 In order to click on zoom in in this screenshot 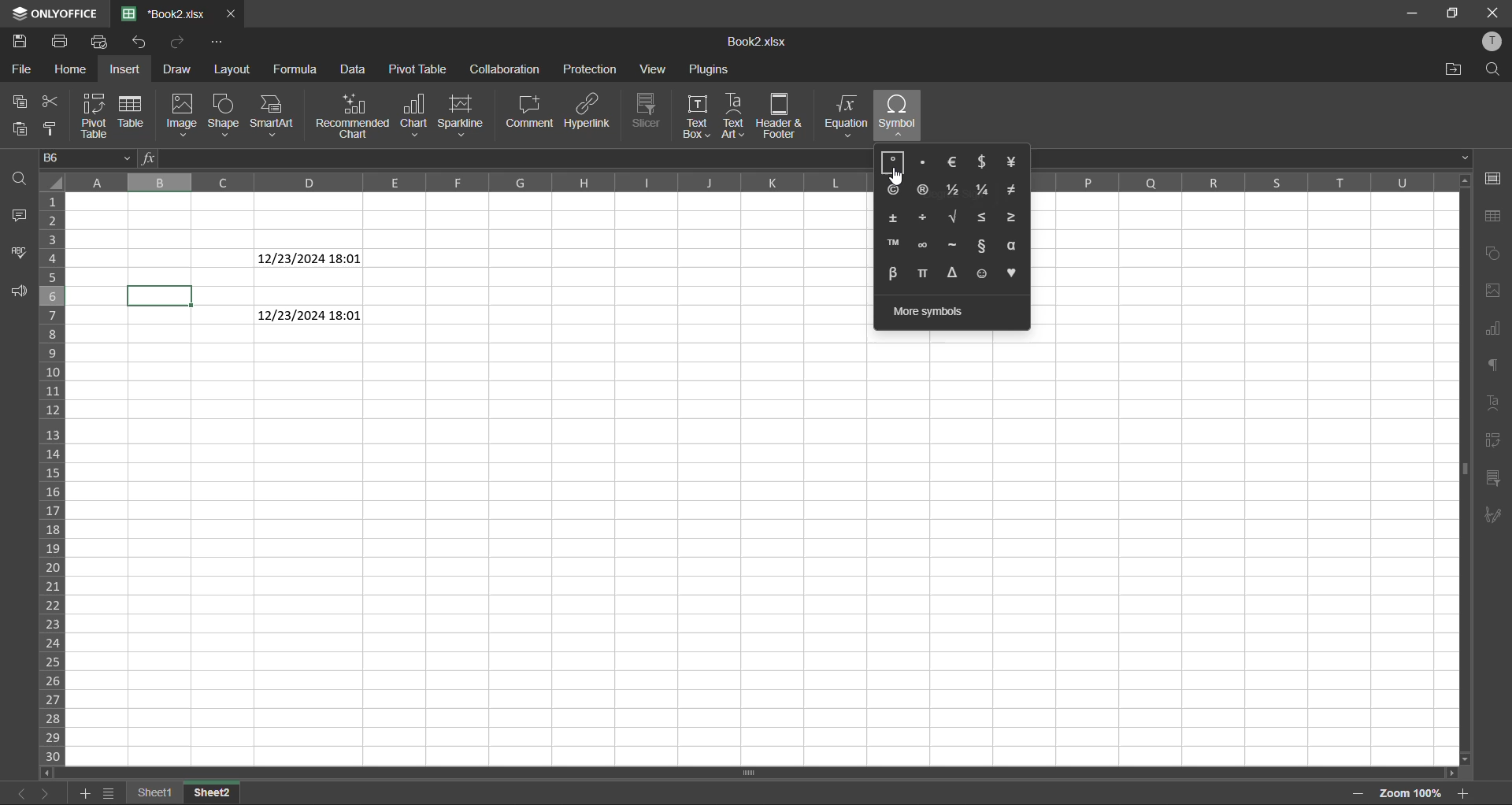, I will do `click(1459, 793)`.